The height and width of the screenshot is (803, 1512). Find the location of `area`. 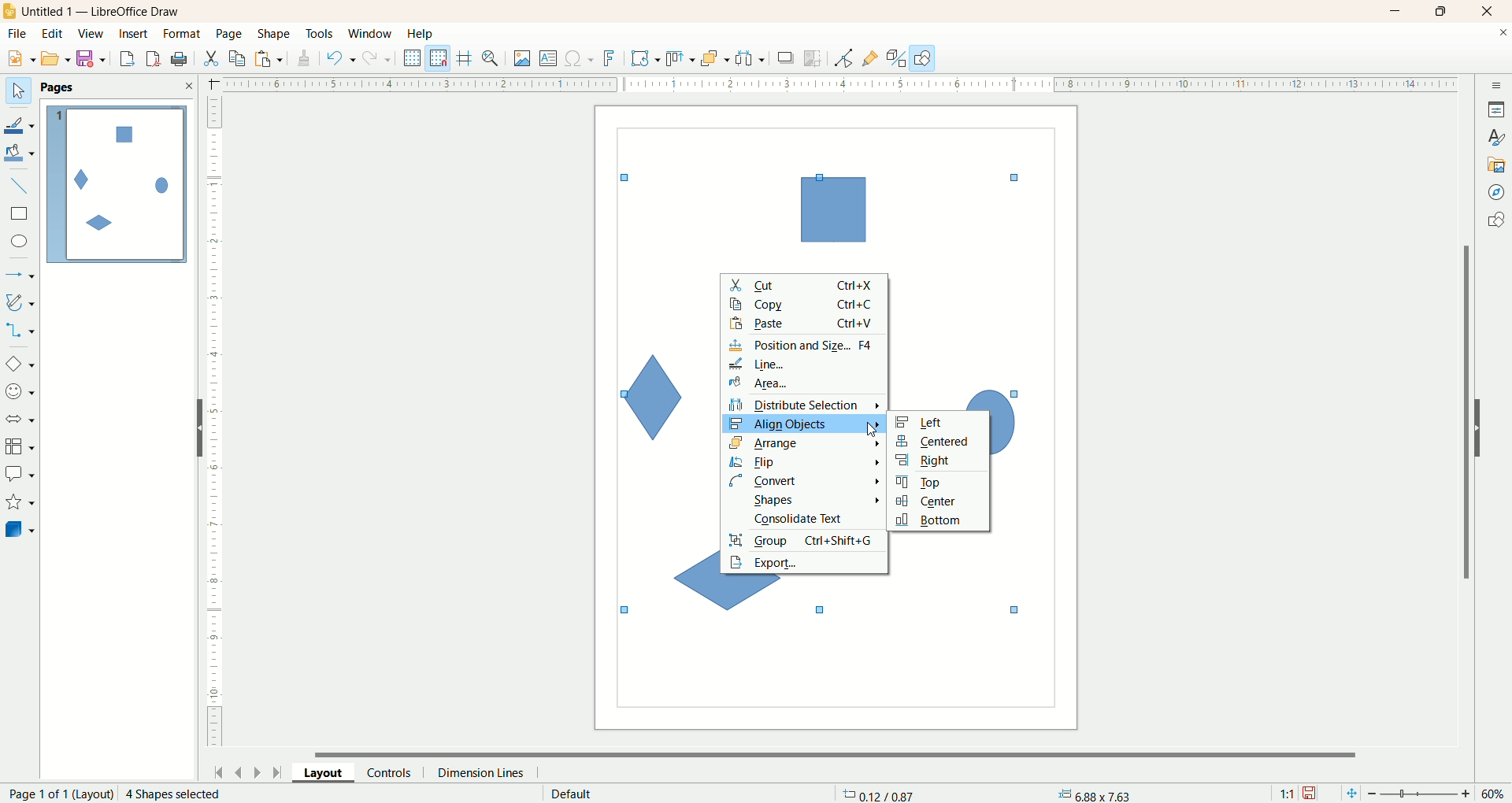

area is located at coordinates (802, 384).